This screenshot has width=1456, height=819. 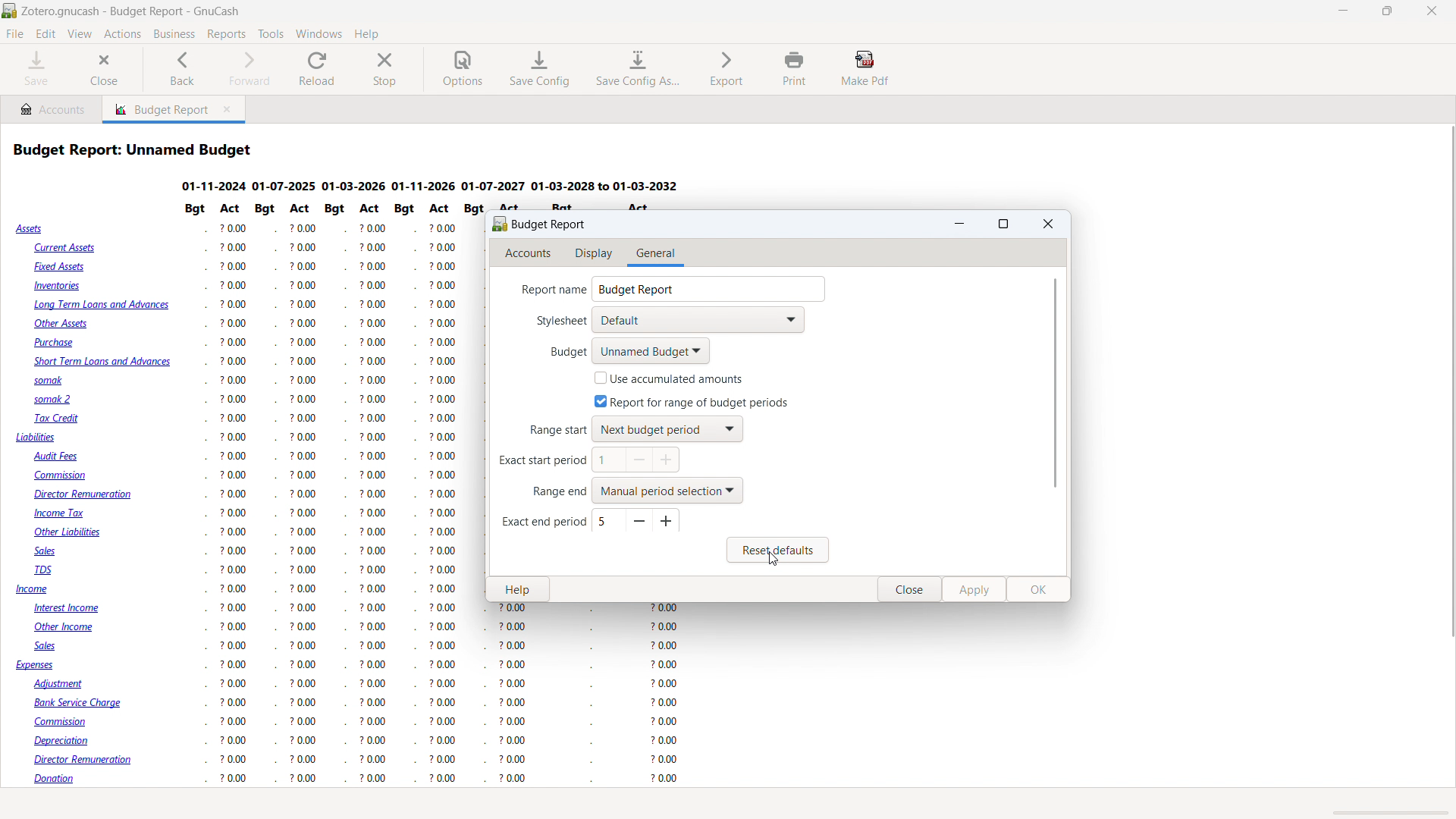 I want to click on Other Liabilities, so click(x=71, y=532).